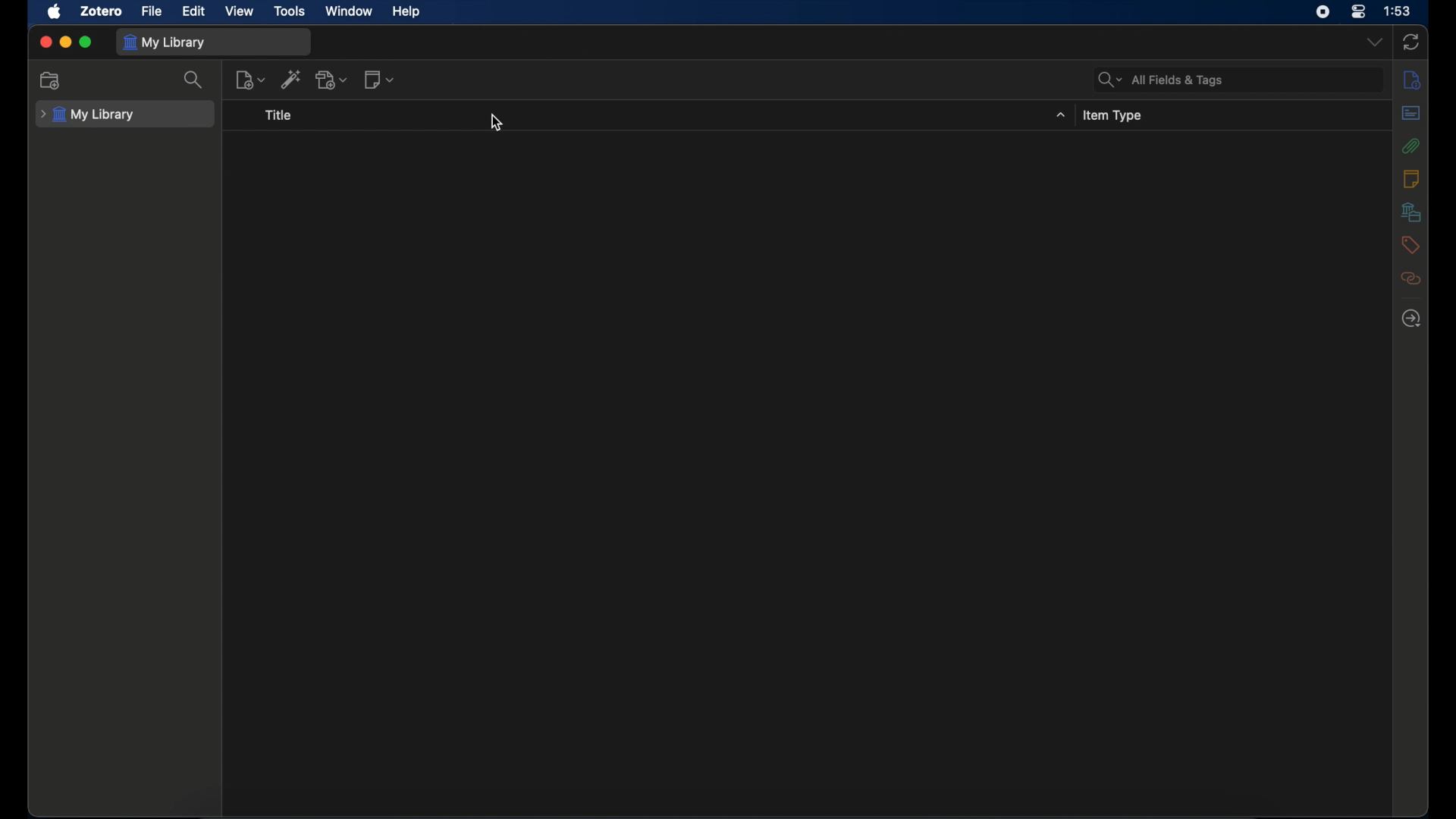 The image size is (1456, 819). What do you see at coordinates (332, 79) in the screenshot?
I see `add attachment` at bounding box center [332, 79].